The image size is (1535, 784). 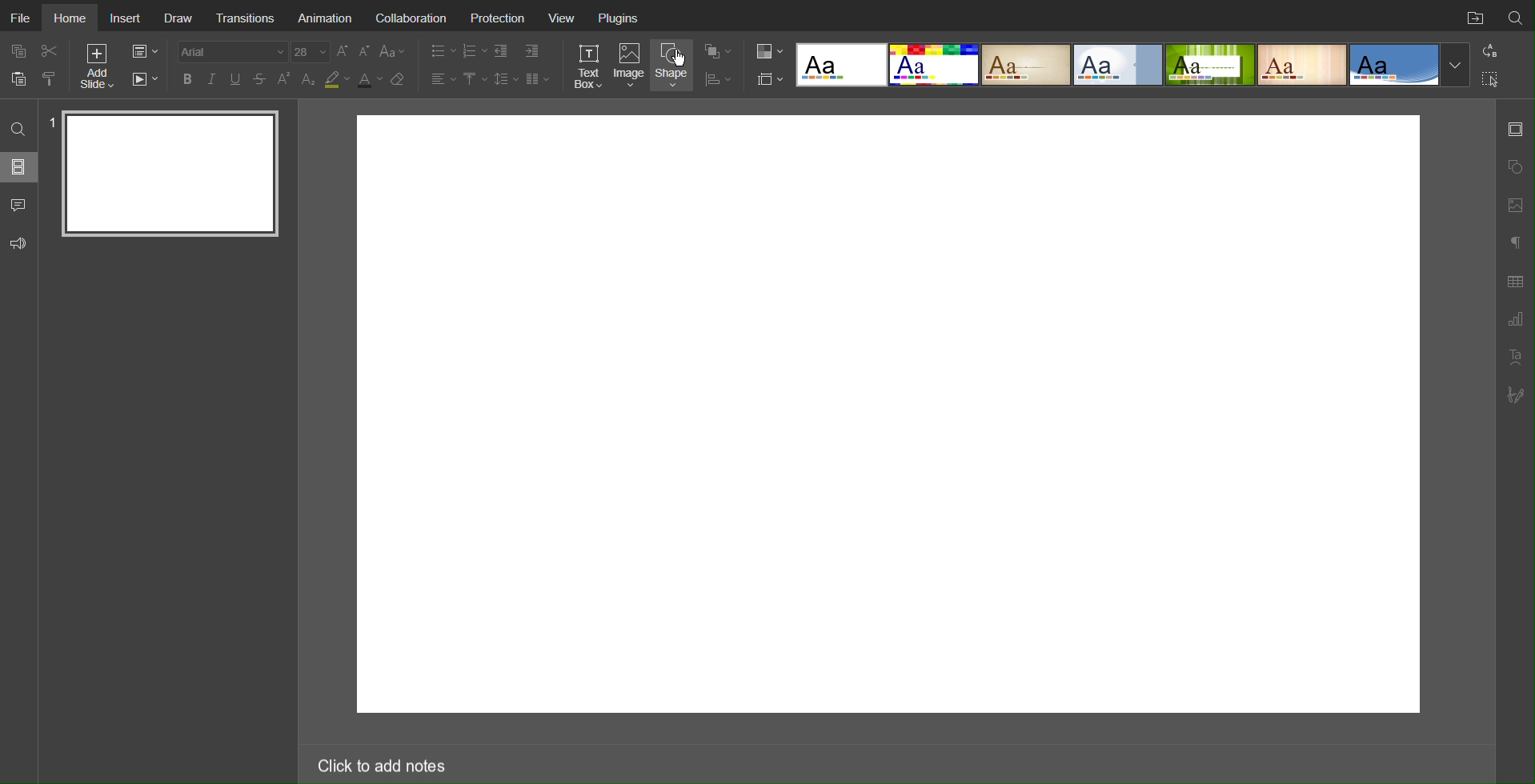 What do you see at coordinates (539, 78) in the screenshot?
I see `Columns` at bounding box center [539, 78].